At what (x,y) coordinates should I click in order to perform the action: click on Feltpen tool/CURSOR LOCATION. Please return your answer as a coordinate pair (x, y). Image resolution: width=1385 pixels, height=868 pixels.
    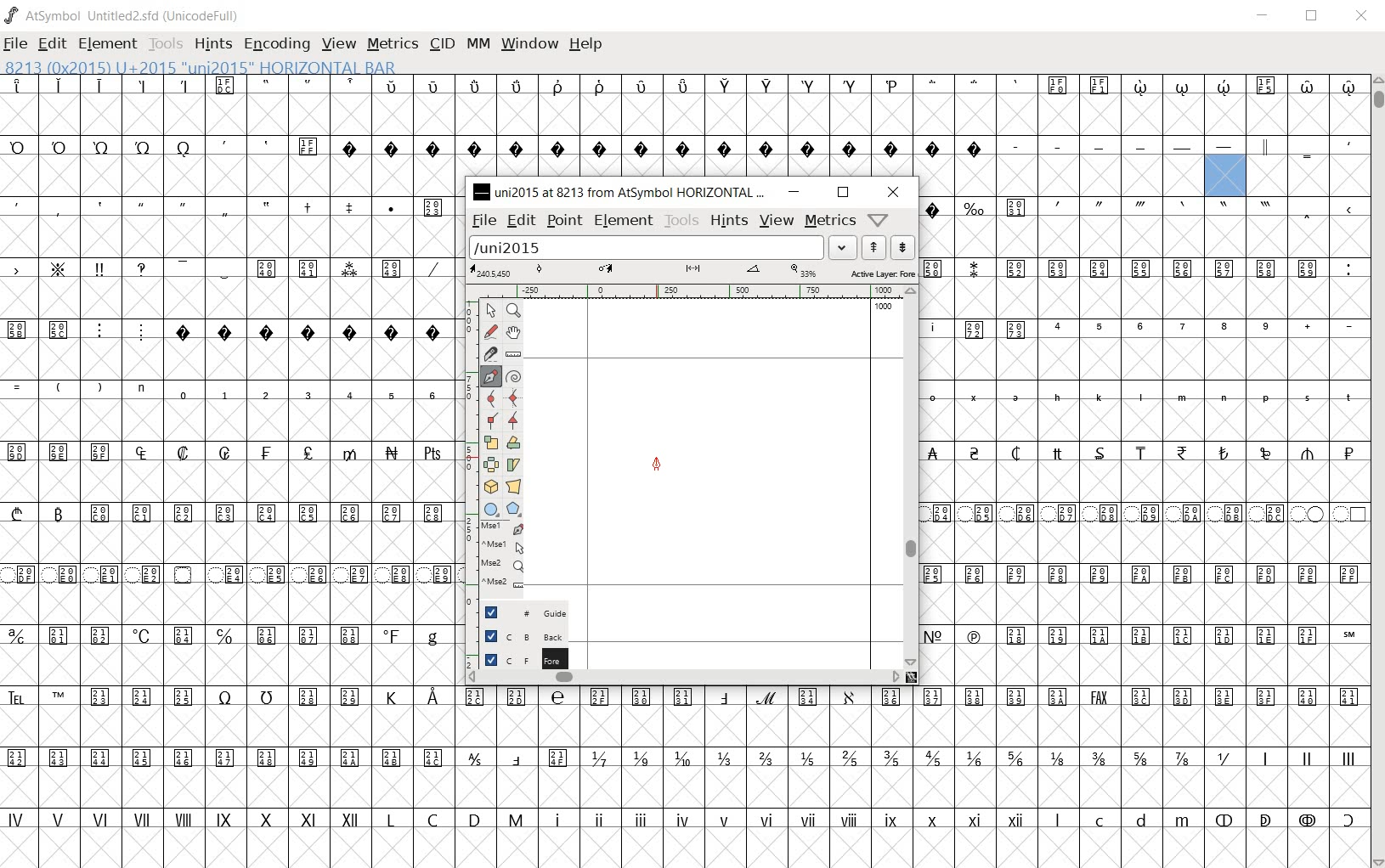
    Looking at the image, I should click on (656, 466).